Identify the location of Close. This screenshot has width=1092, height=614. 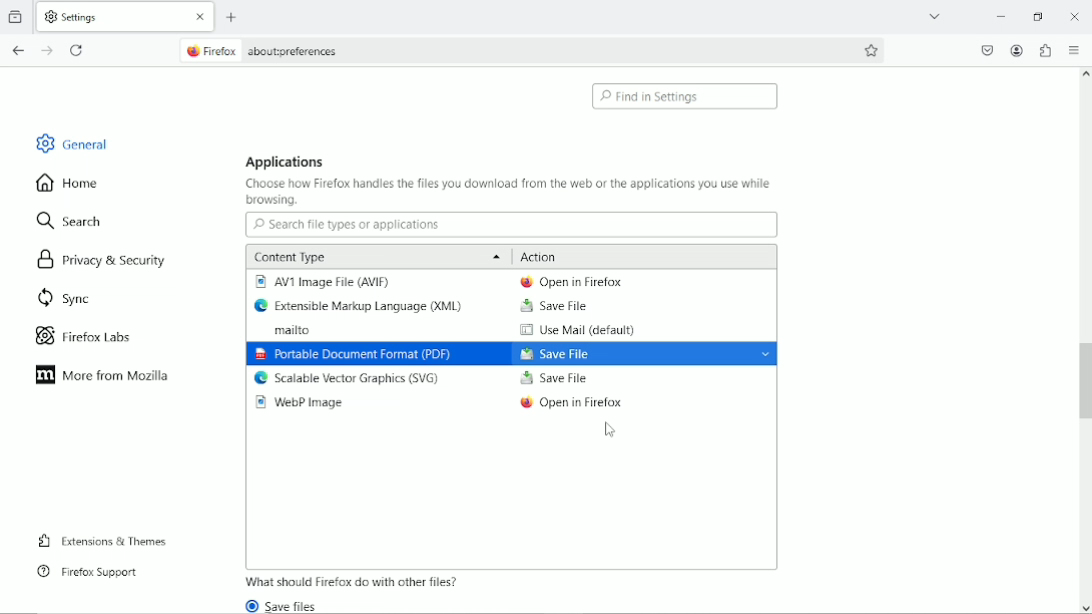
(1074, 14).